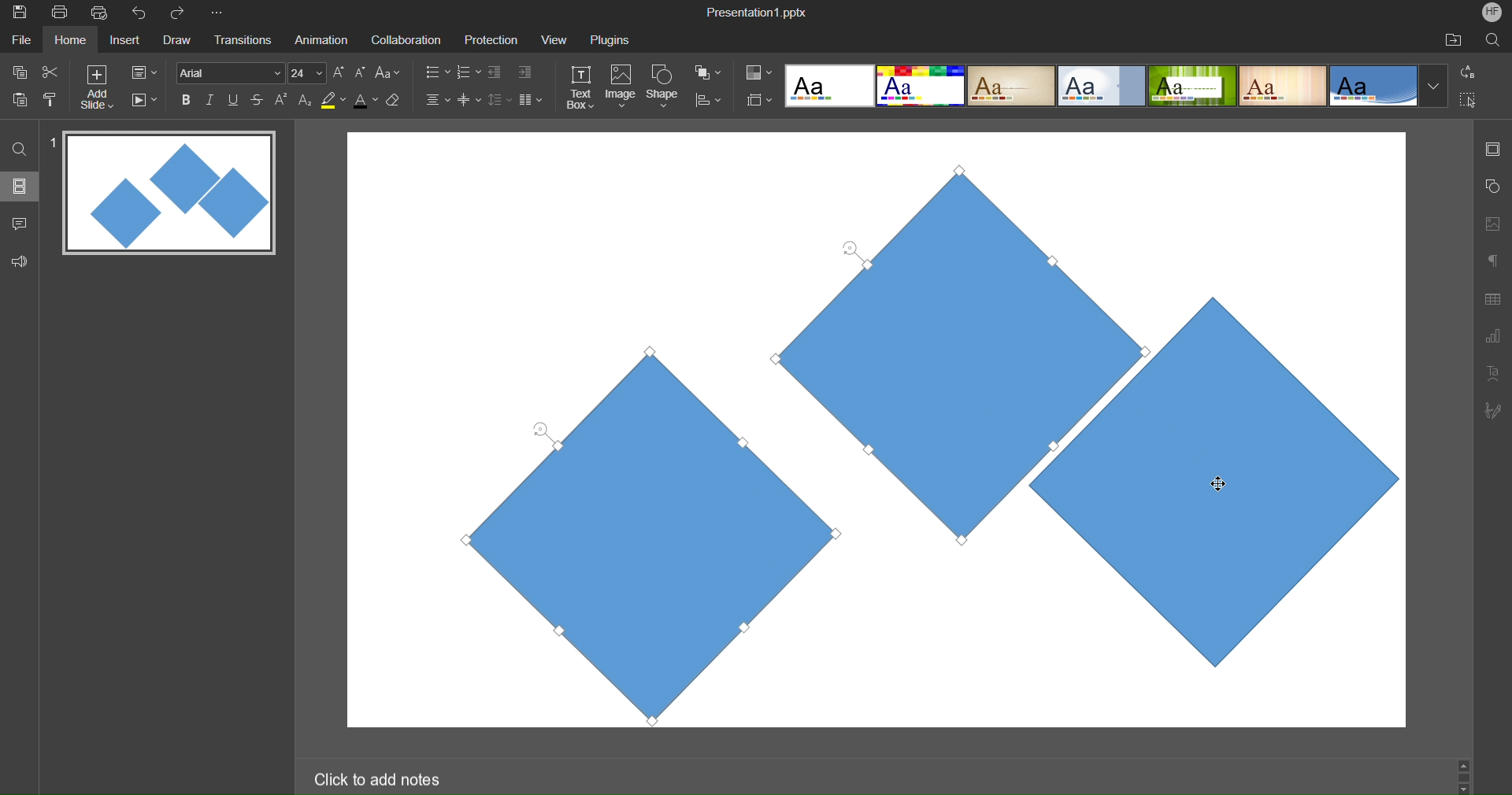 This screenshot has width=1512, height=795. Describe the element at coordinates (1493, 260) in the screenshot. I see `Paragraph Settings` at that location.